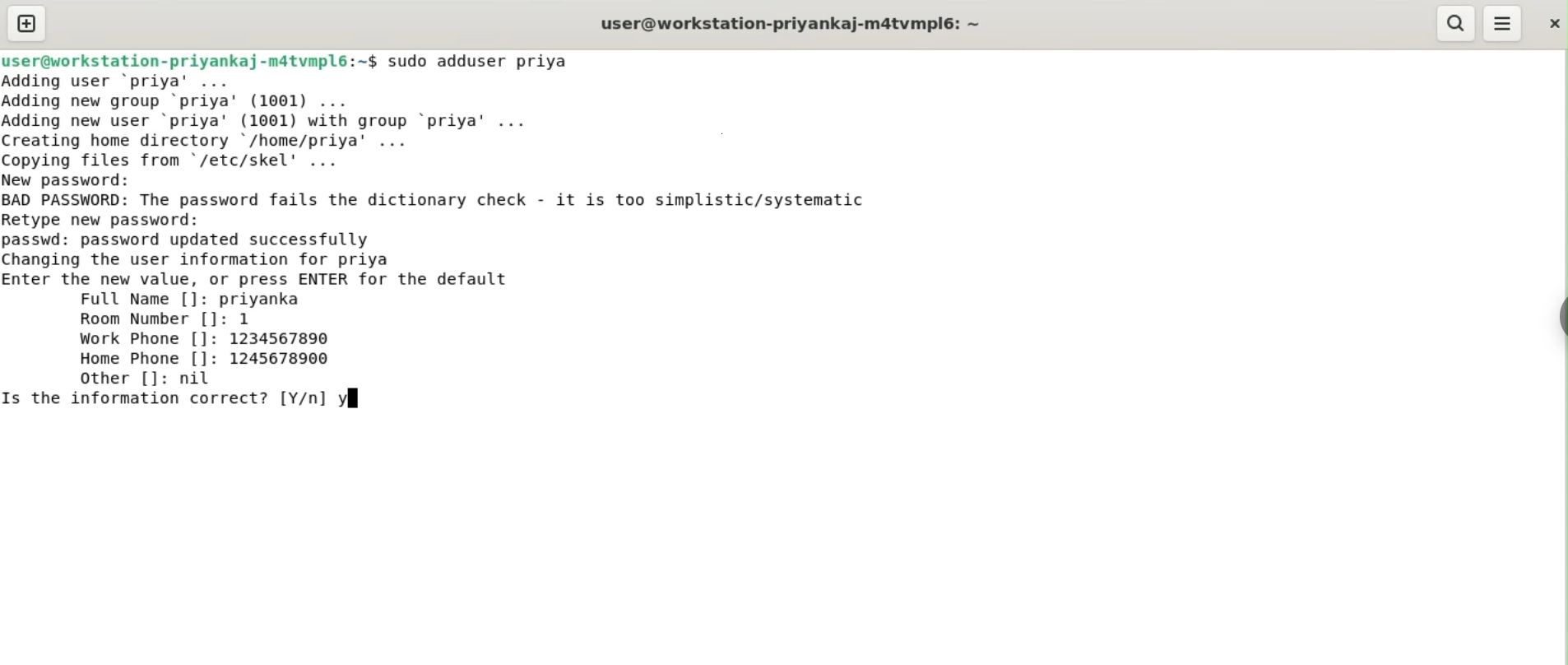 This screenshot has height=665, width=1568. Describe the element at coordinates (119, 378) in the screenshot. I see `other []:` at that location.